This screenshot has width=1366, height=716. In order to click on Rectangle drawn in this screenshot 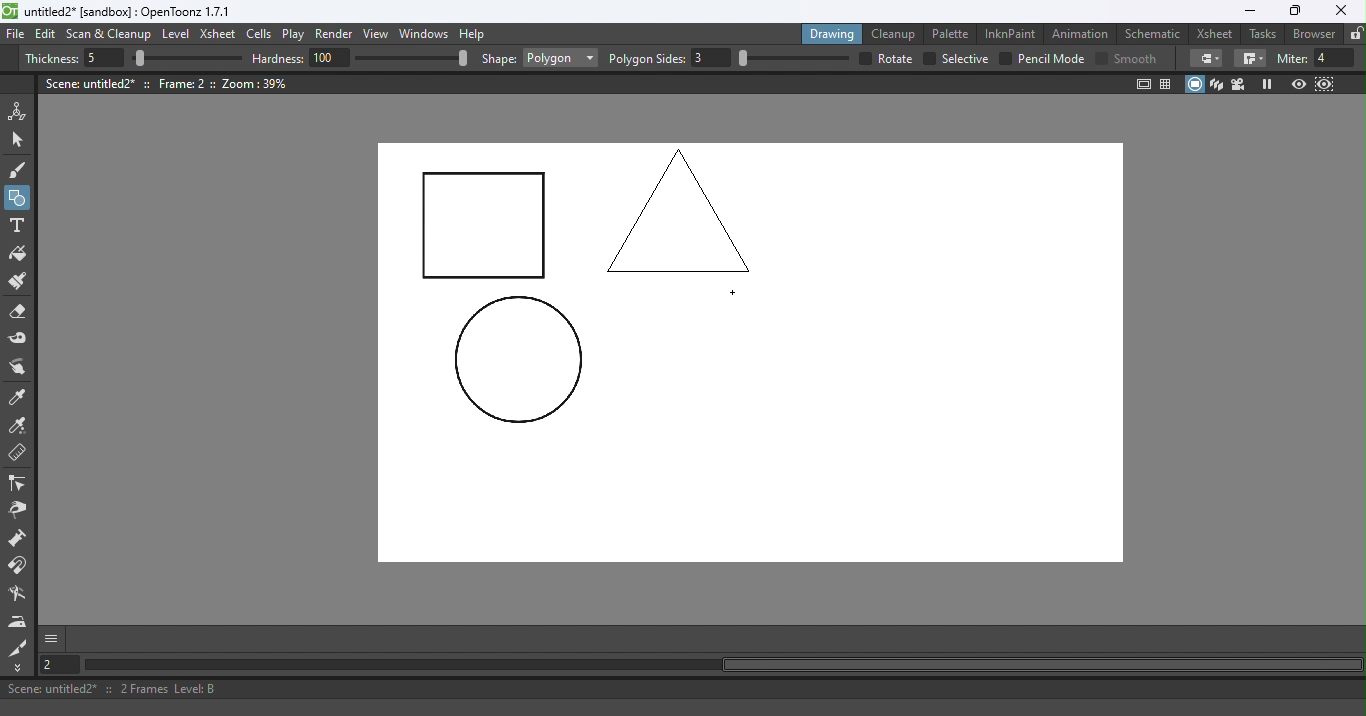, I will do `click(485, 227)`.